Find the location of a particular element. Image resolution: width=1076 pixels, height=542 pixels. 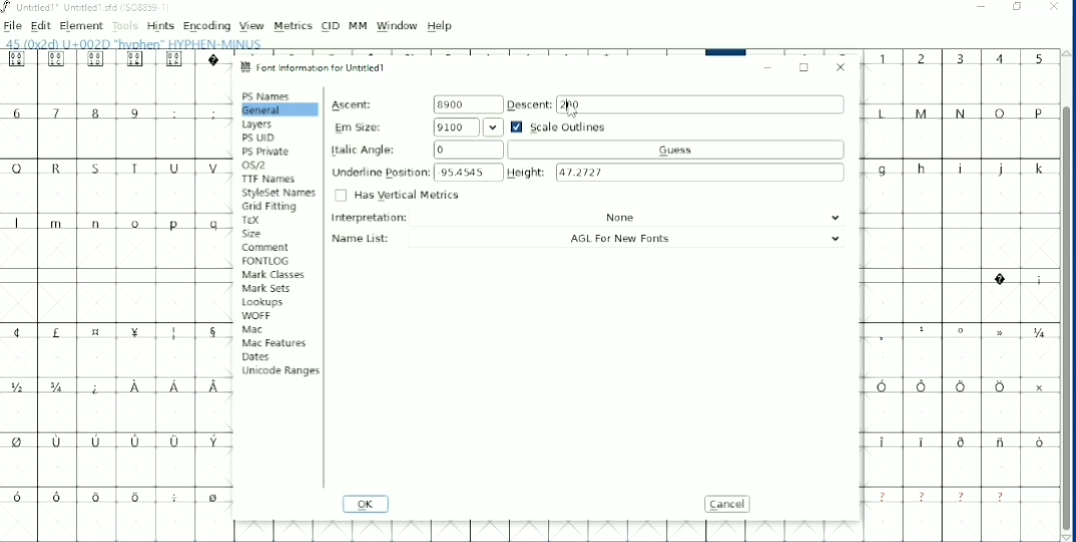

Hints is located at coordinates (160, 26).